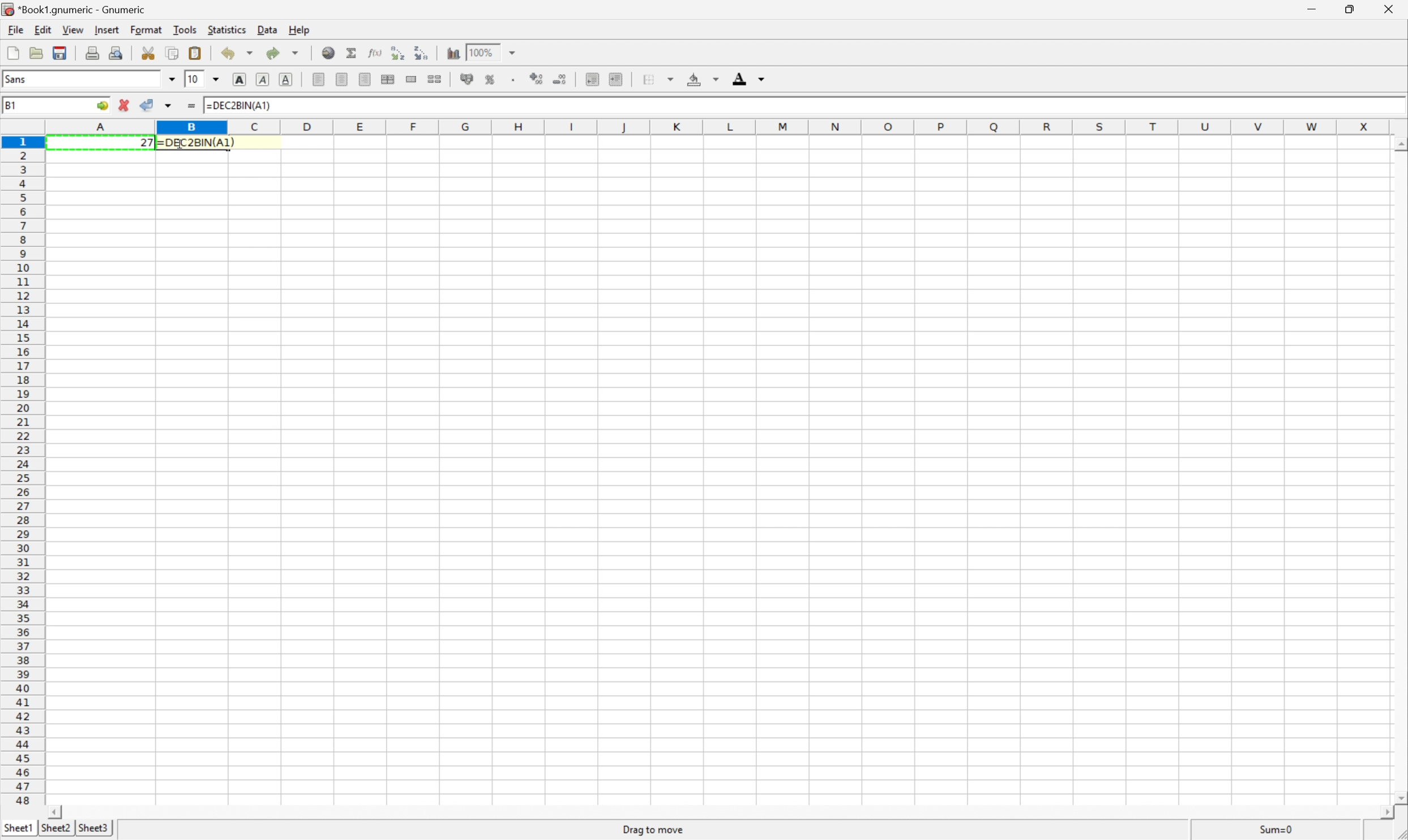 Image resolution: width=1408 pixels, height=840 pixels. I want to click on Accept changes, so click(146, 104).